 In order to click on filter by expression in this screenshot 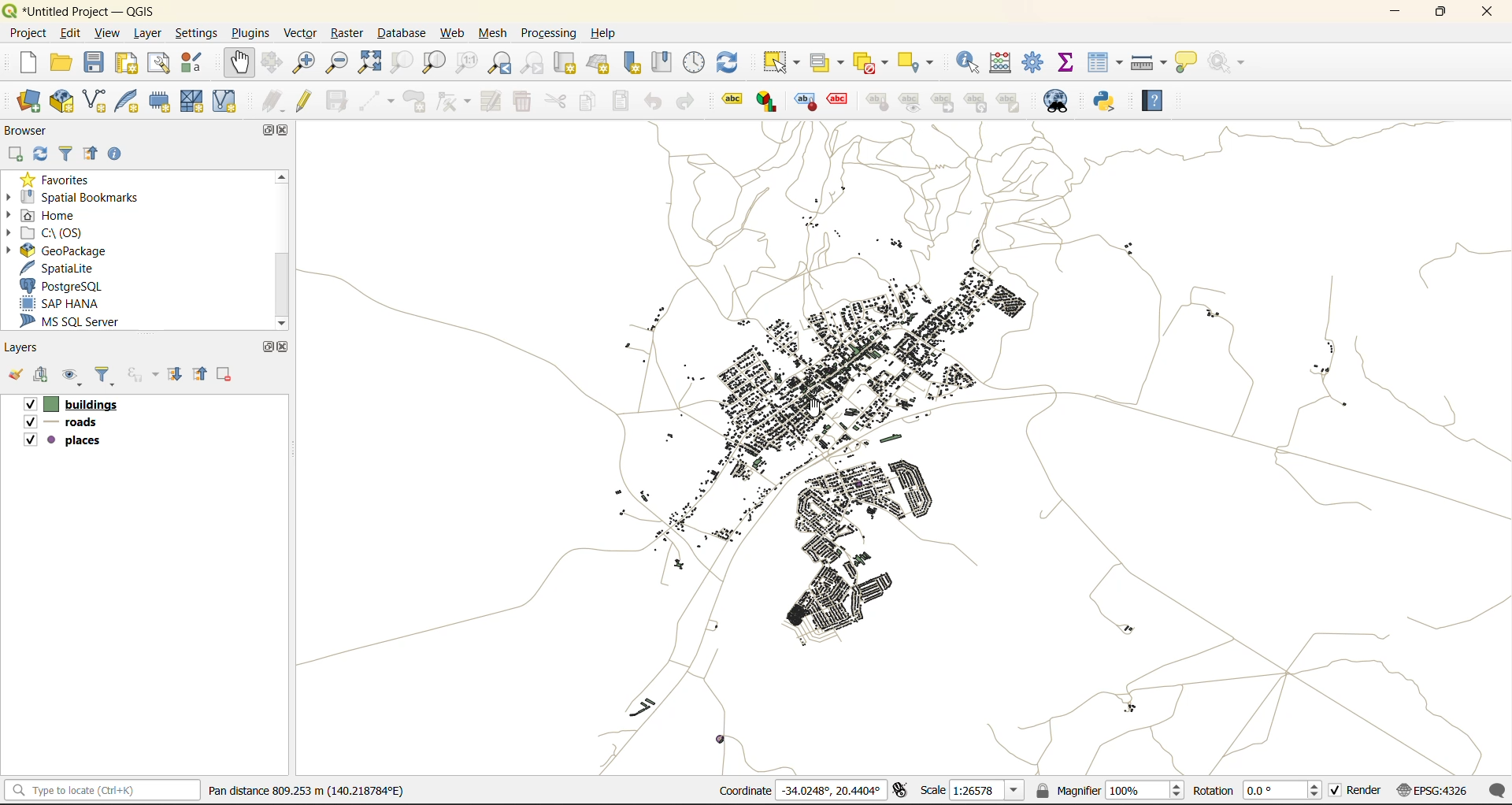, I will do `click(143, 376)`.